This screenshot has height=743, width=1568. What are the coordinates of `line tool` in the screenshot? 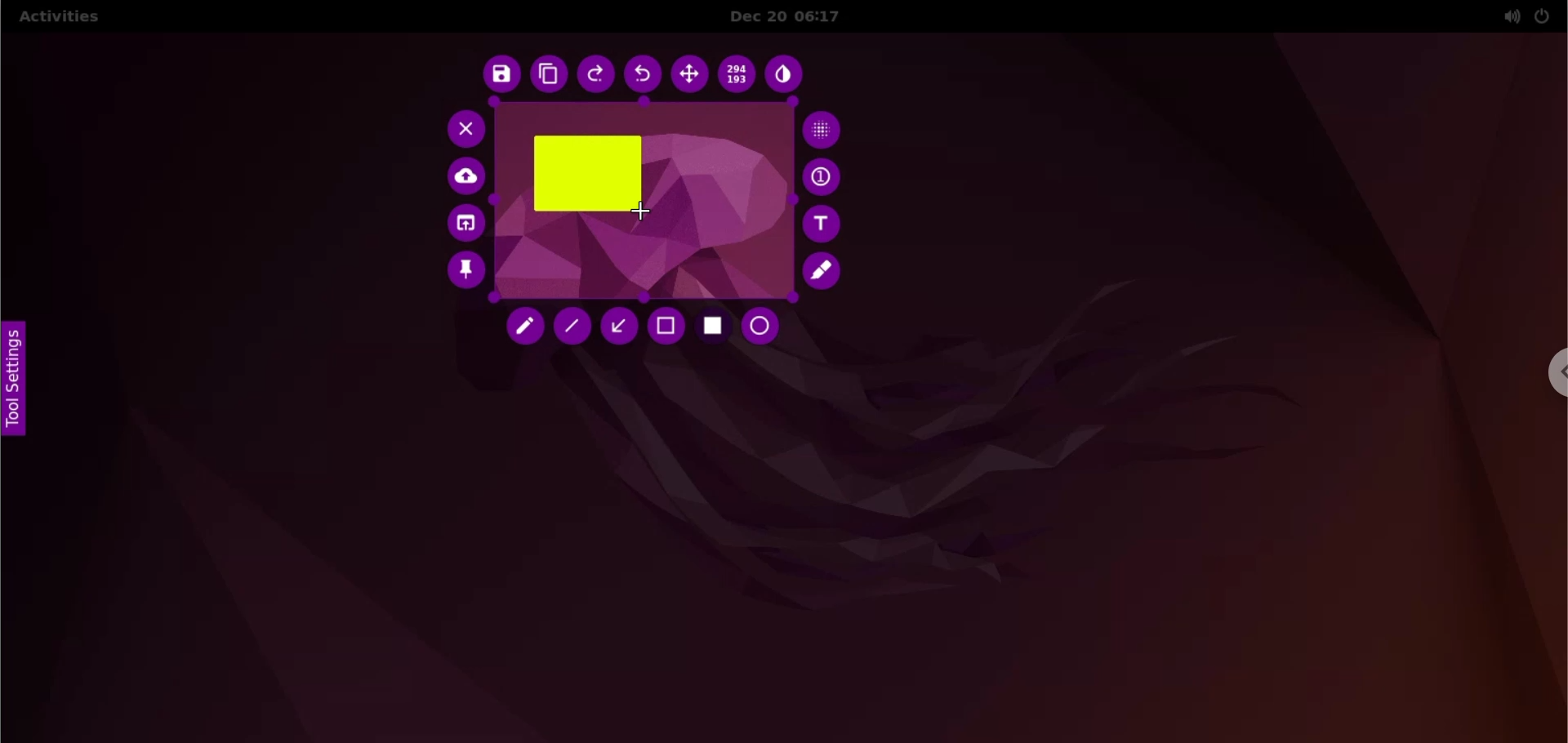 It's located at (572, 327).